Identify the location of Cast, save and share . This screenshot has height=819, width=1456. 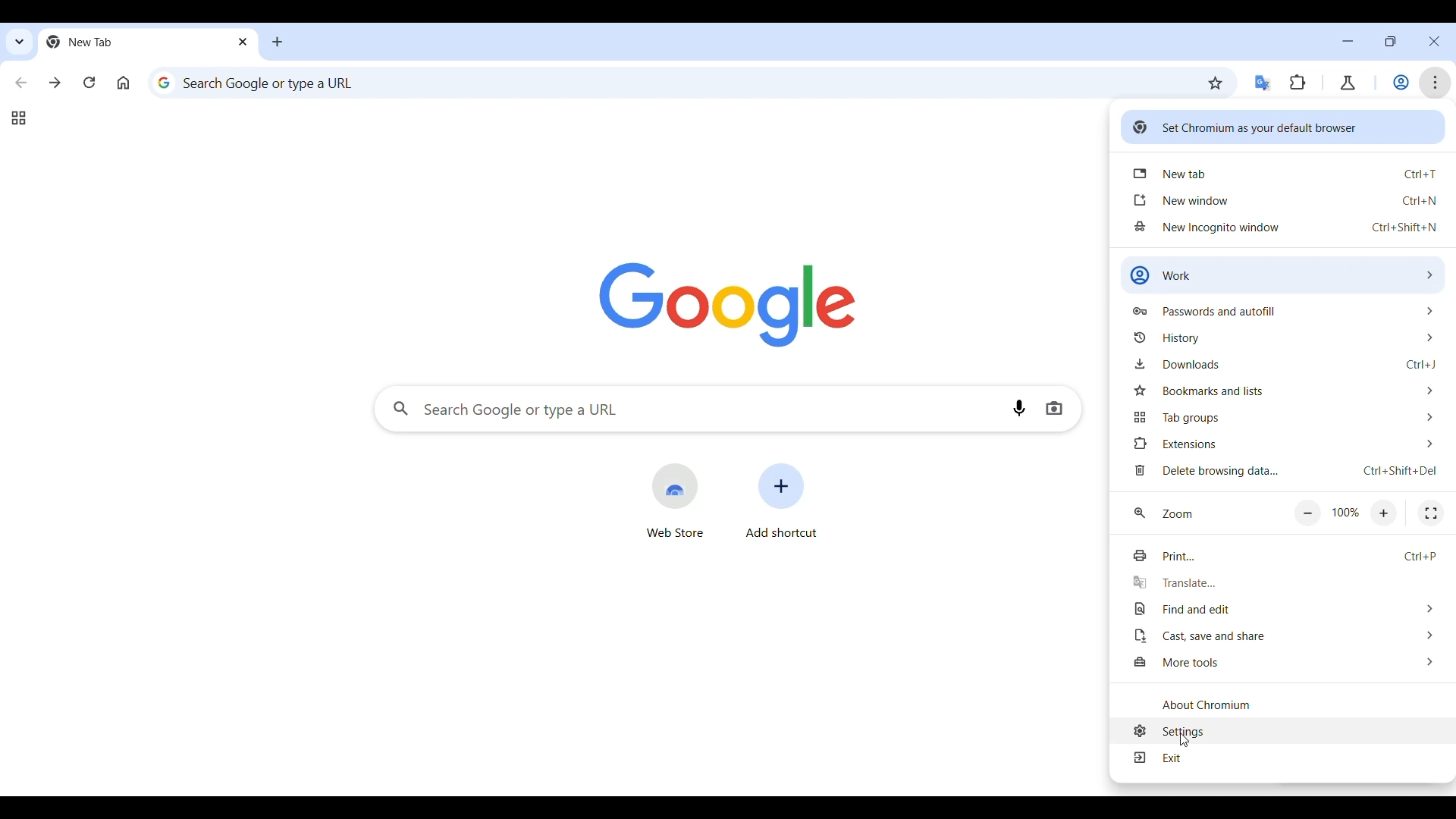
(1284, 635).